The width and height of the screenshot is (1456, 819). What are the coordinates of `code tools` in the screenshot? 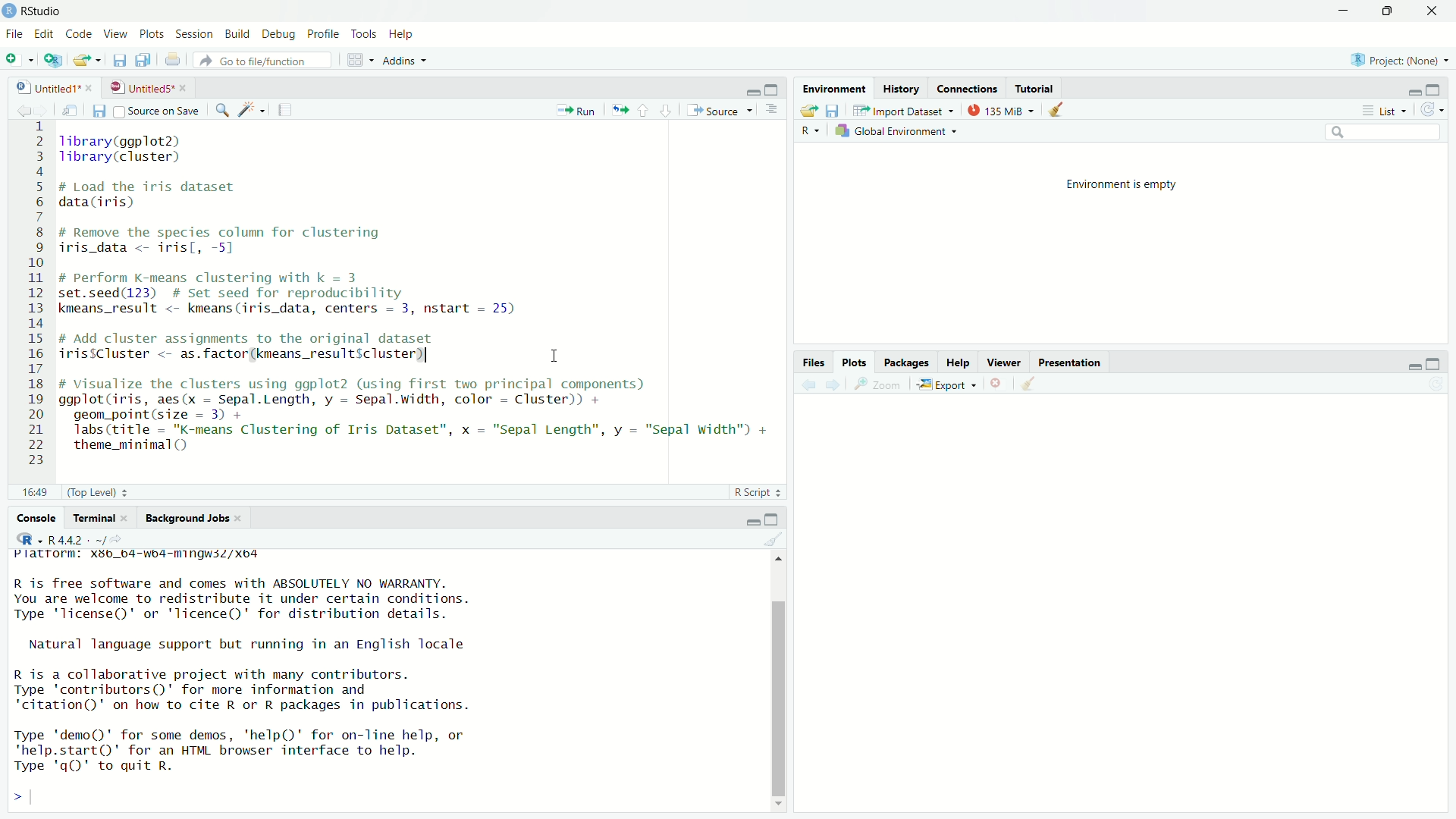 It's located at (250, 110).